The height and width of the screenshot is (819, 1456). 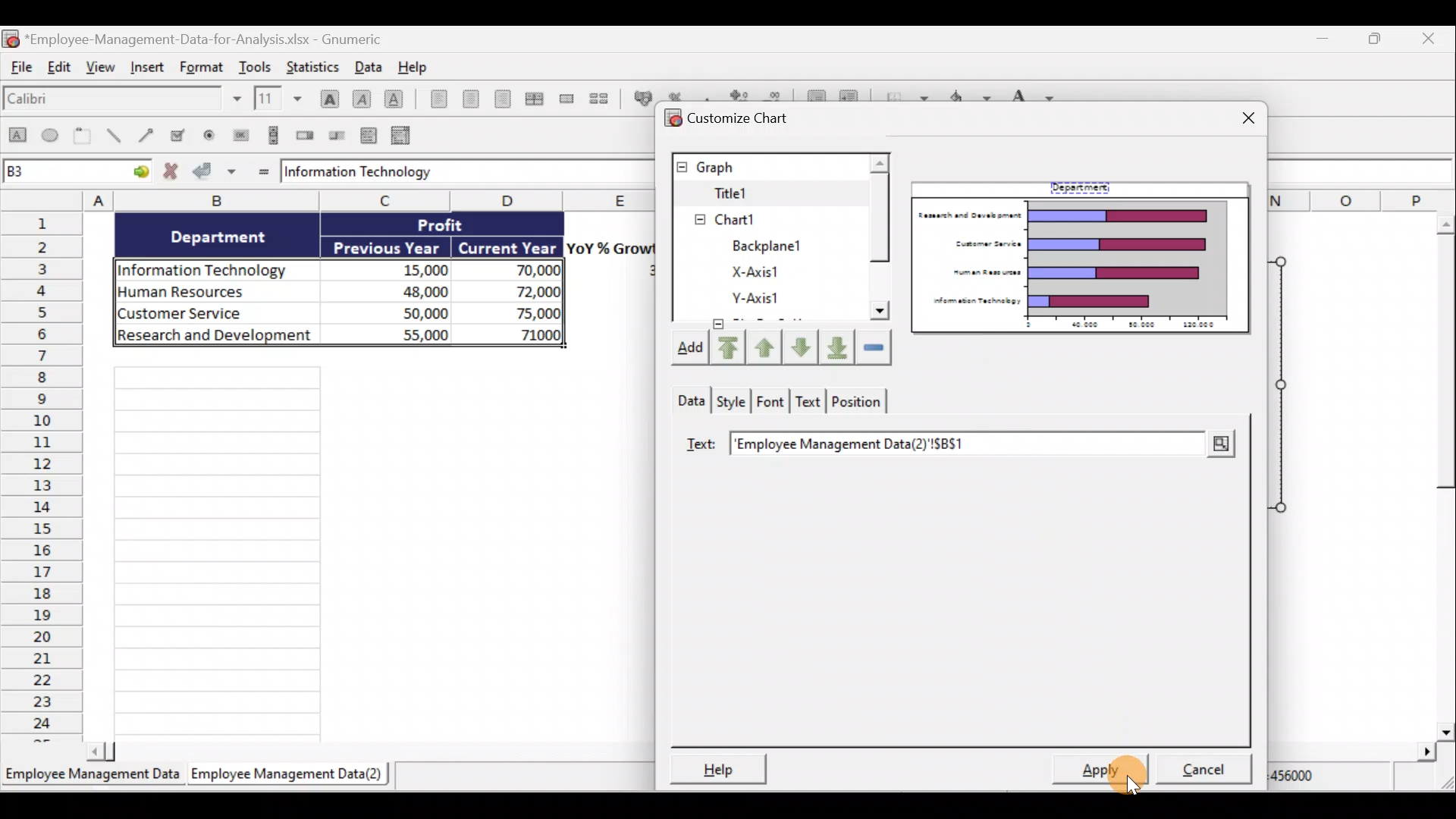 What do you see at coordinates (1220, 444) in the screenshot?
I see `search button` at bounding box center [1220, 444].